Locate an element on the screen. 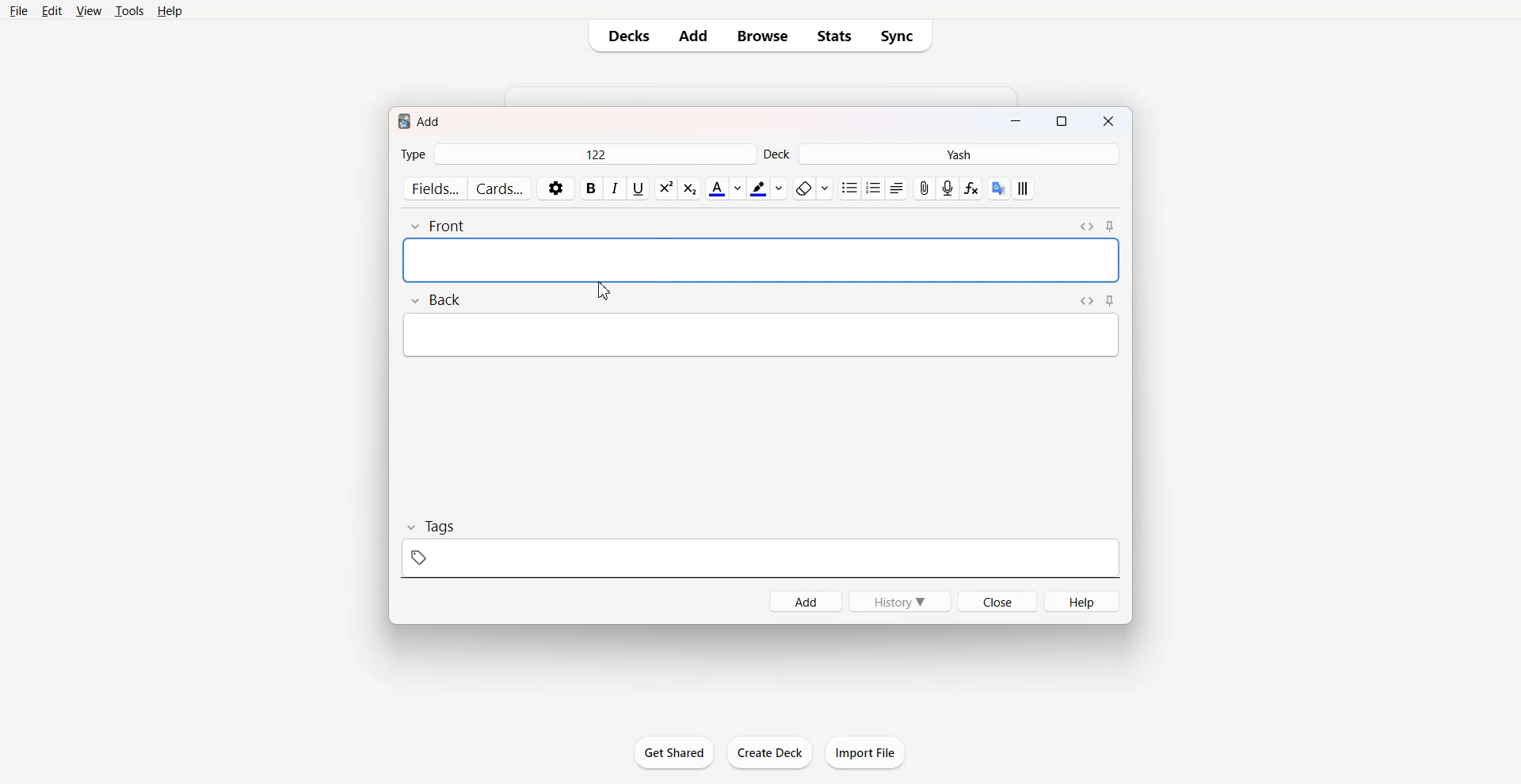  Help is located at coordinates (170, 11).